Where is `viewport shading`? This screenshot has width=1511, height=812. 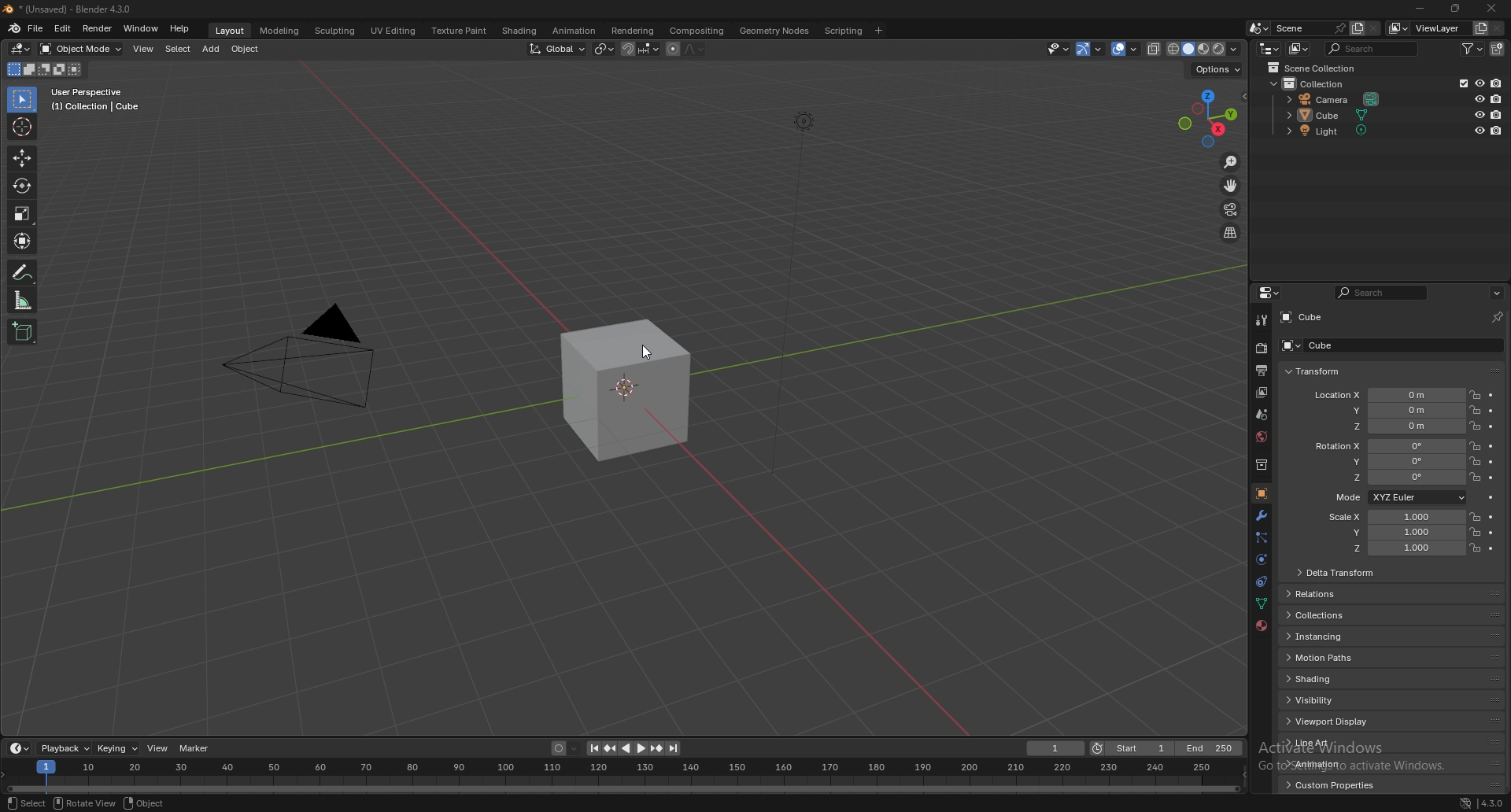 viewport shading is located at coordinates (1206, 49).